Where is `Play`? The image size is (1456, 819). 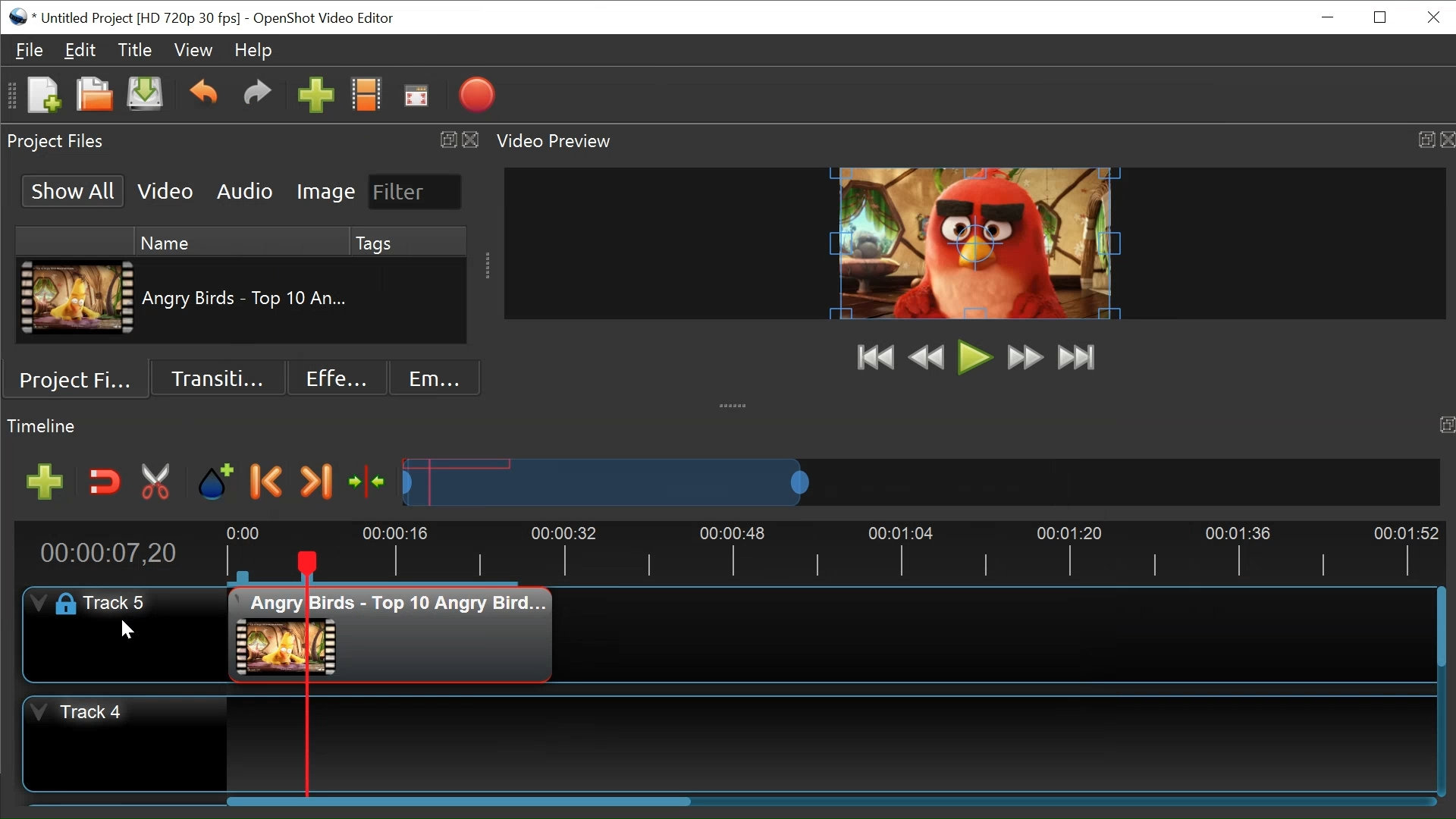 Play is located at coordinates (975, 357).